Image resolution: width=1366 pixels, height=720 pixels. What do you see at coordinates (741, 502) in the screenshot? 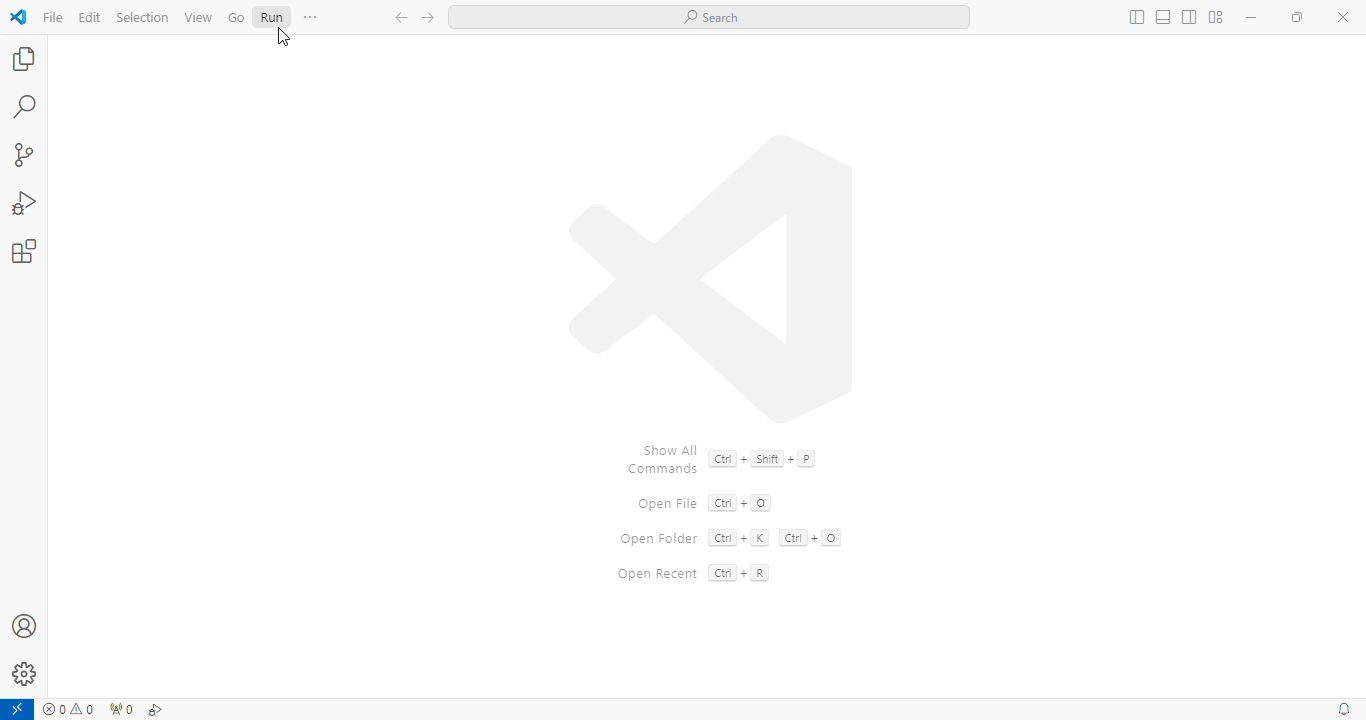
I see `Ctrl+O` at bounding box center [741, 502].